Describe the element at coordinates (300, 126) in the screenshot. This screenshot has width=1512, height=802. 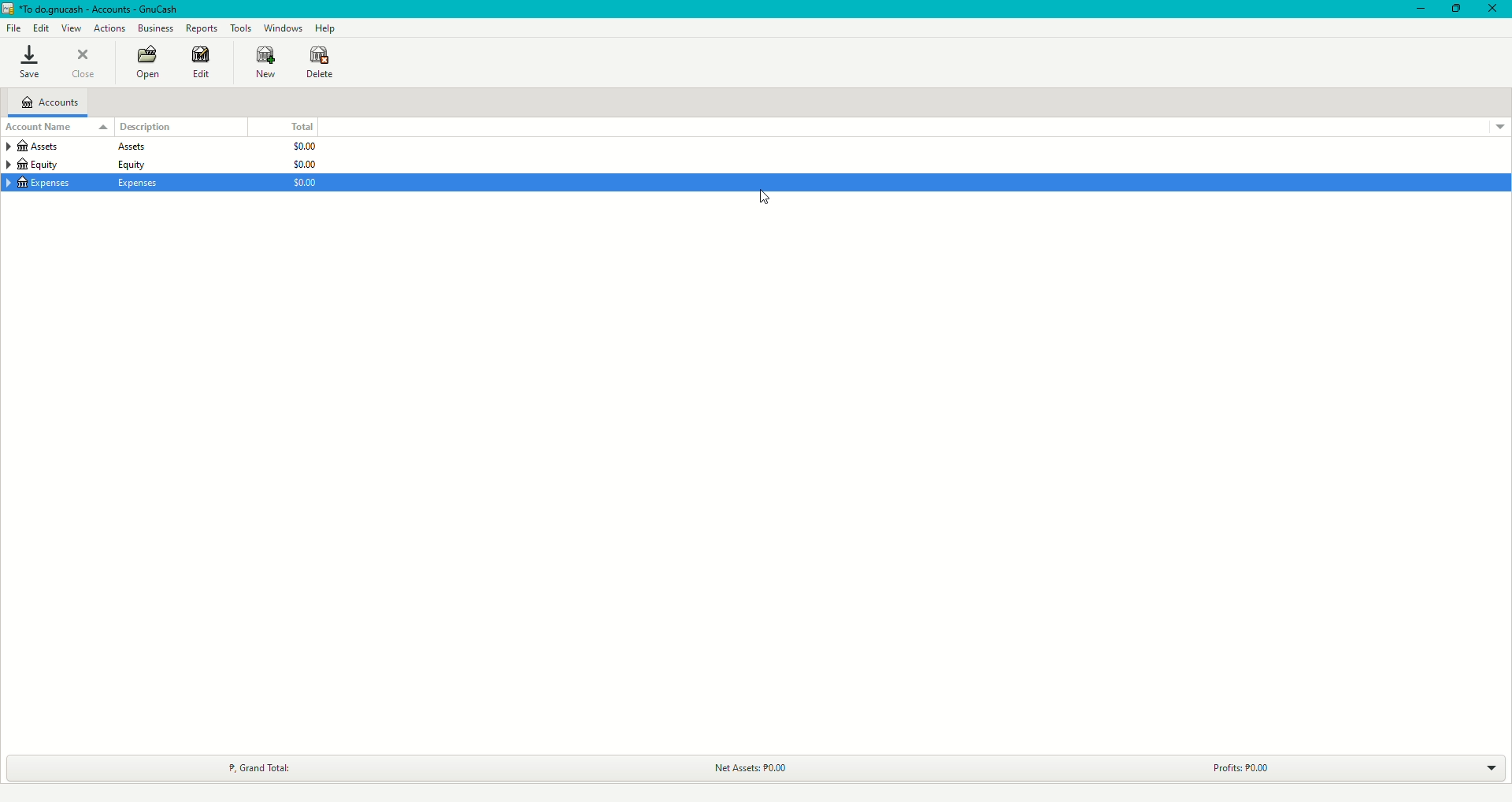
I see `Total` at that location.